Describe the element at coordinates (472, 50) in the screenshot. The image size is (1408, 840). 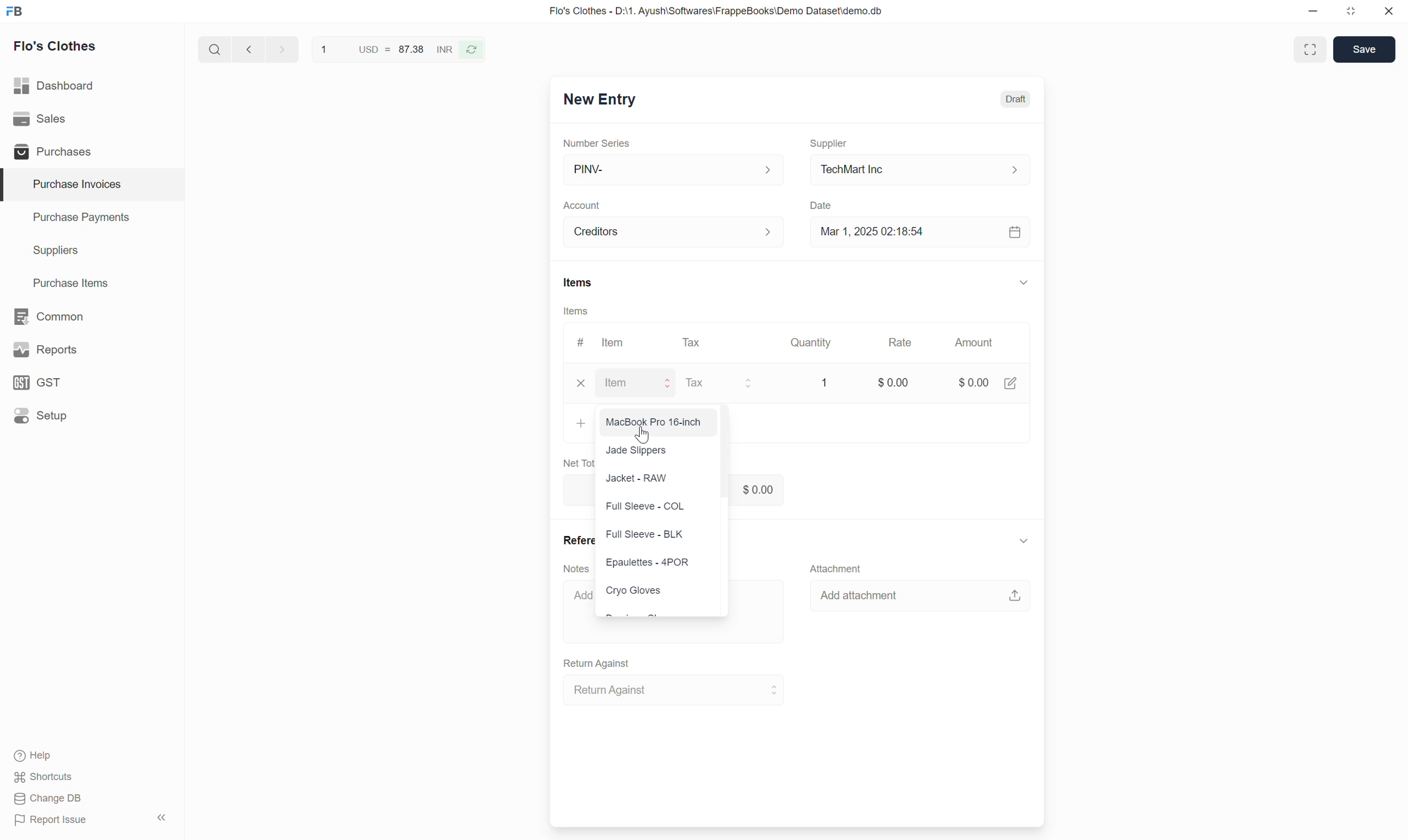
I see `Reverse` at that location.